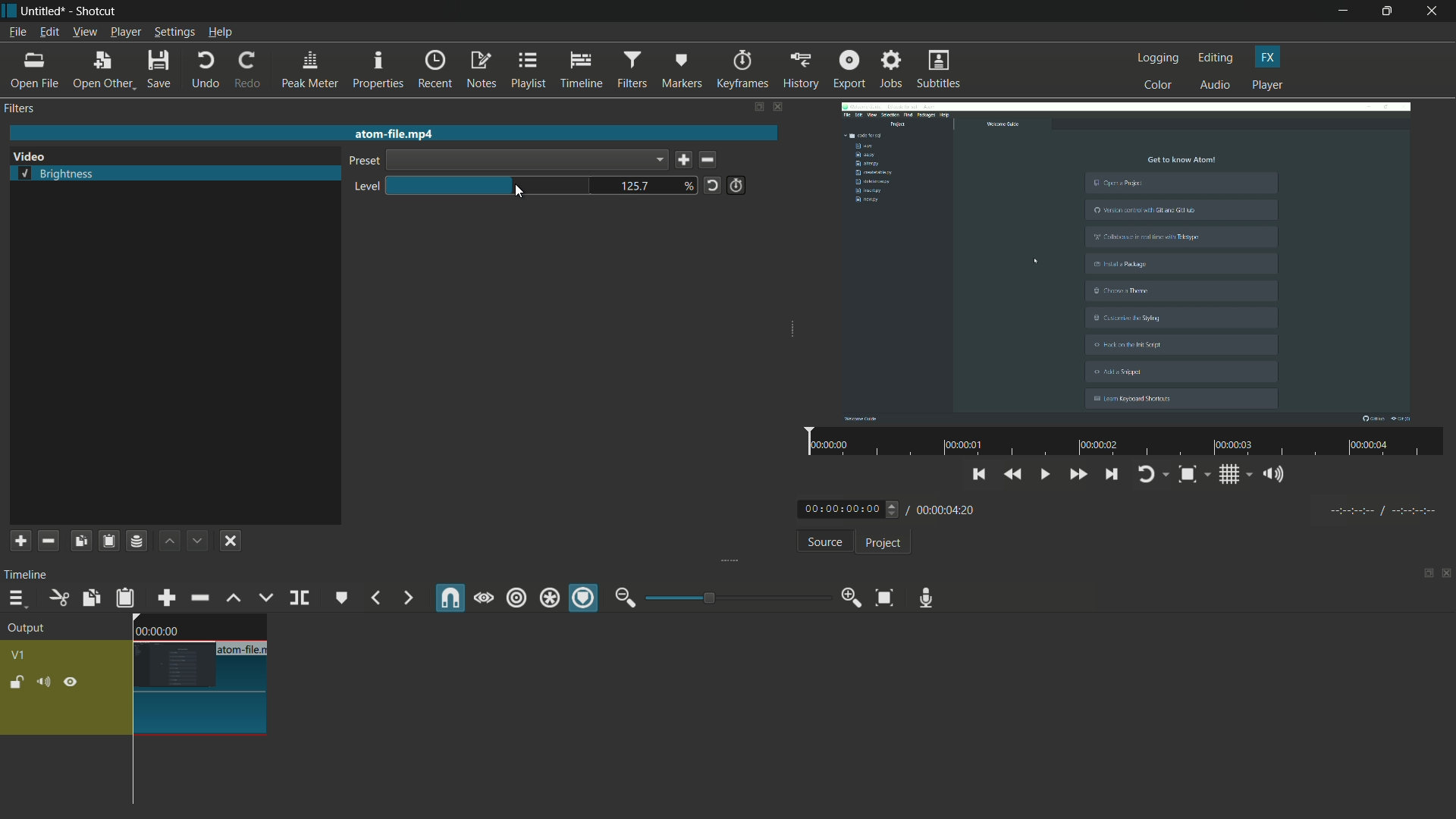 This screenshot has height=819, width=1456. Describe the element at coordinates (881, 543) in the screenshot. I see `project` at that location.